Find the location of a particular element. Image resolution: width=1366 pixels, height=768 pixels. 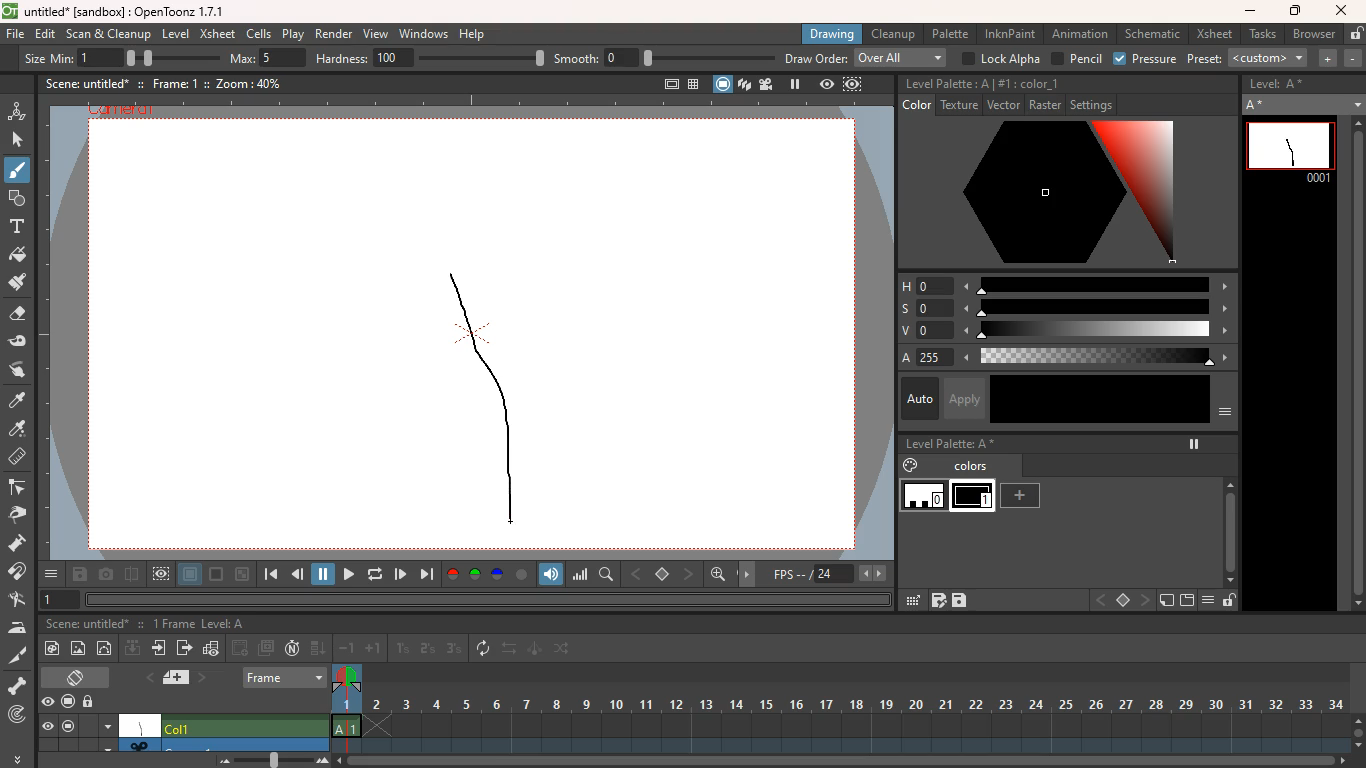

auto is located at coordinates (916, 398).